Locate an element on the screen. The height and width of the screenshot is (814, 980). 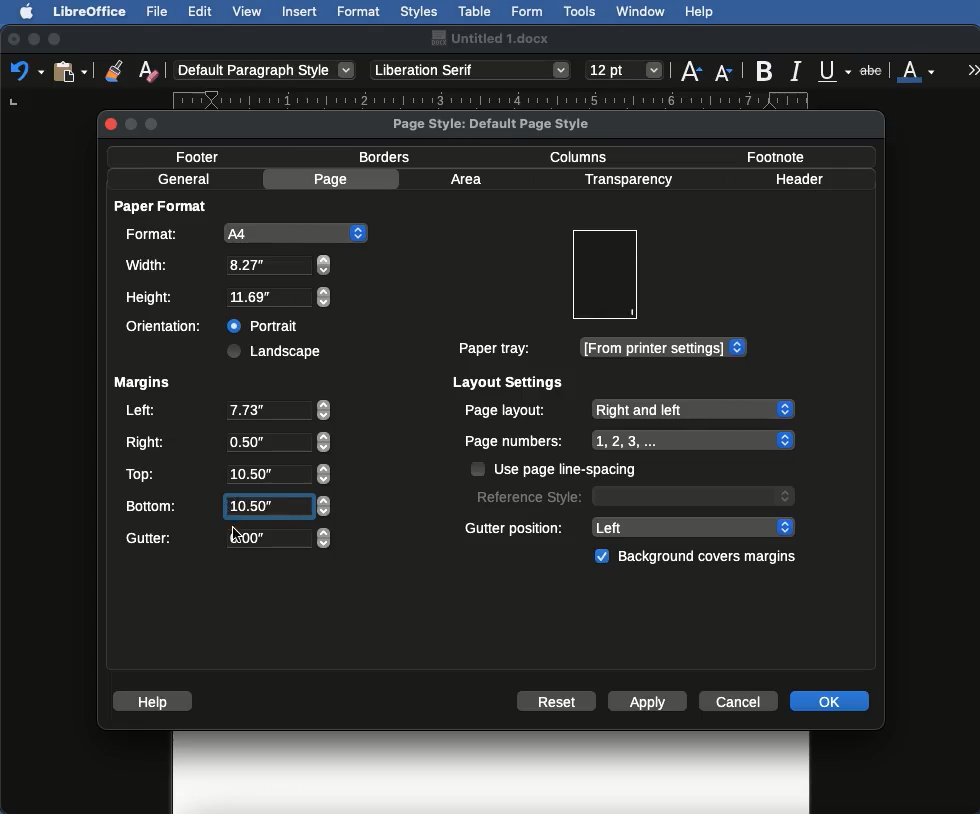
View is located at coordinates (248, 11).